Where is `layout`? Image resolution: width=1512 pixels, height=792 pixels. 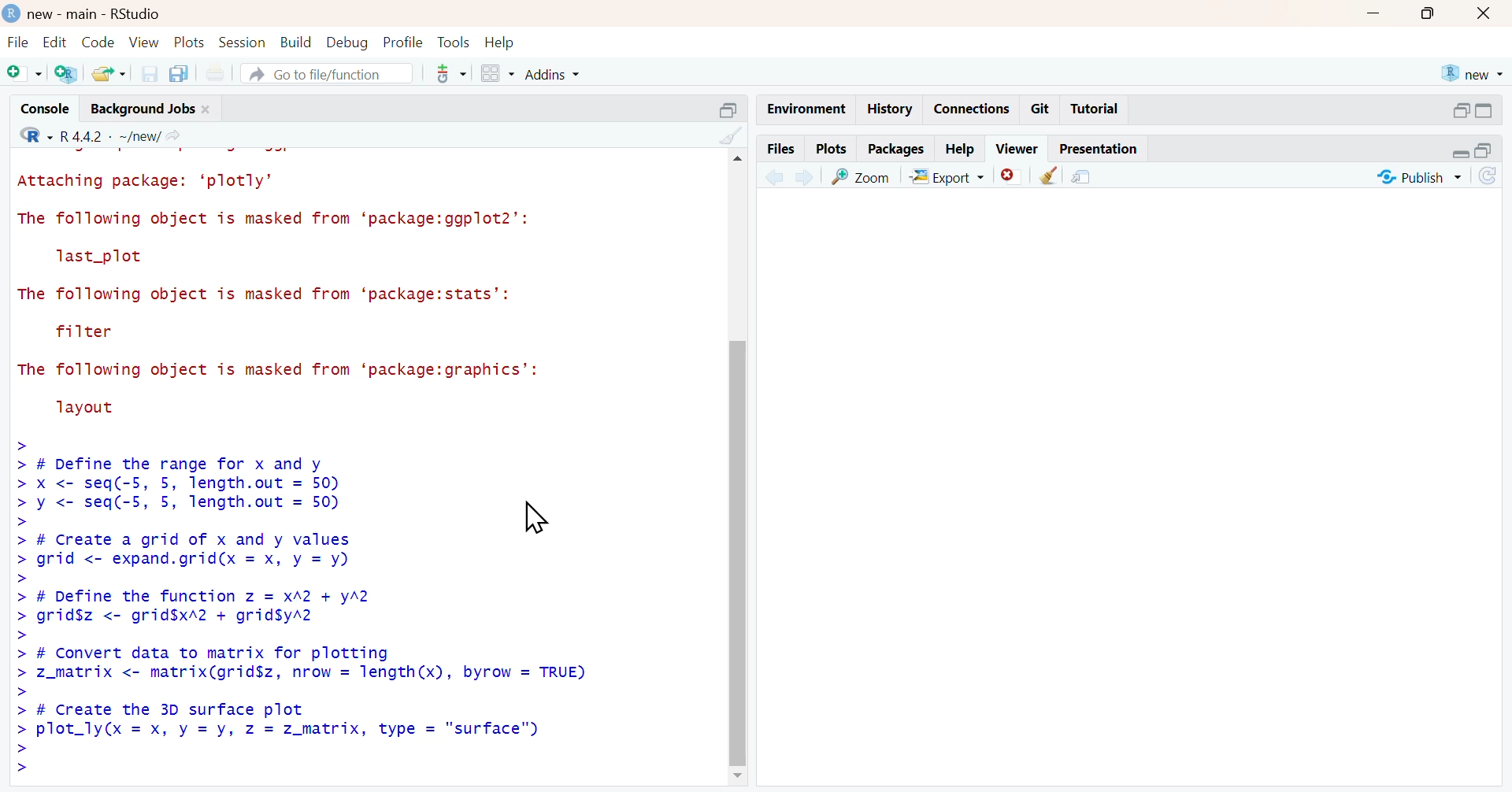
layout is located at coordinates (91, 409).